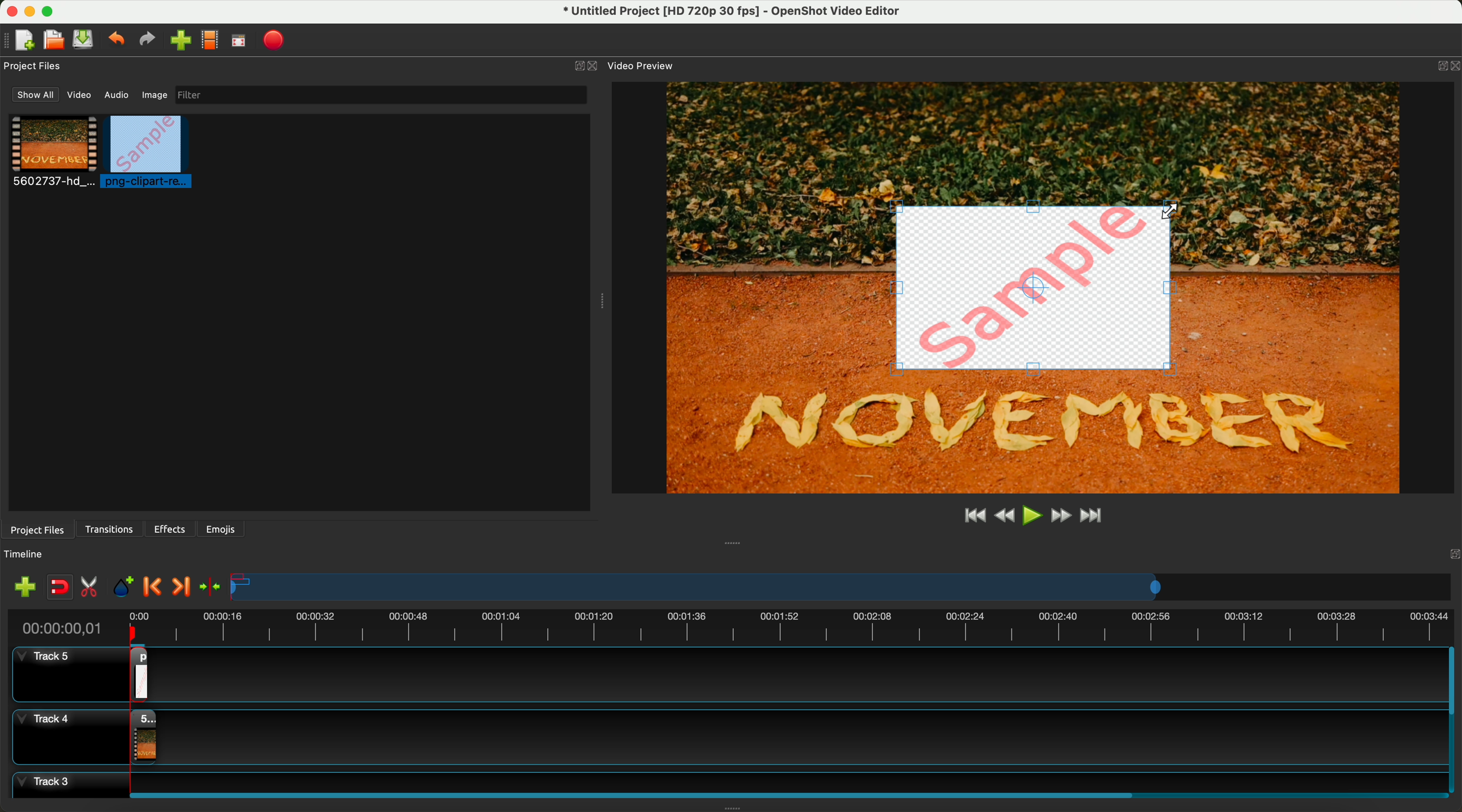 The height and width of the screenshot is (812, 1462). Describe the element at coordinates (1060, 517) in the screenshot. I see `fast foward` at that location.